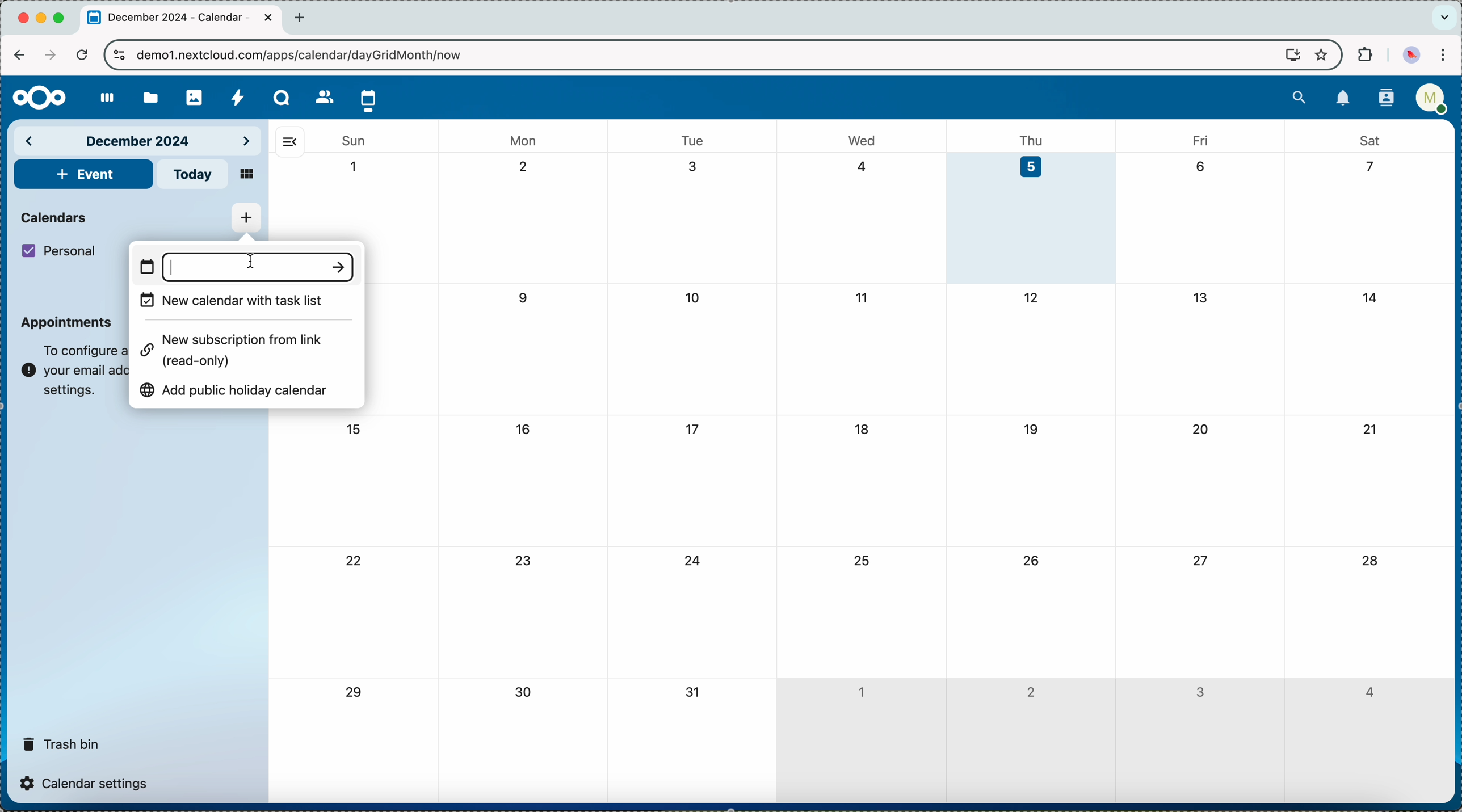 The width and height of the screenshot is (1462, 812). I want to click on 12, so click(1032, 298).